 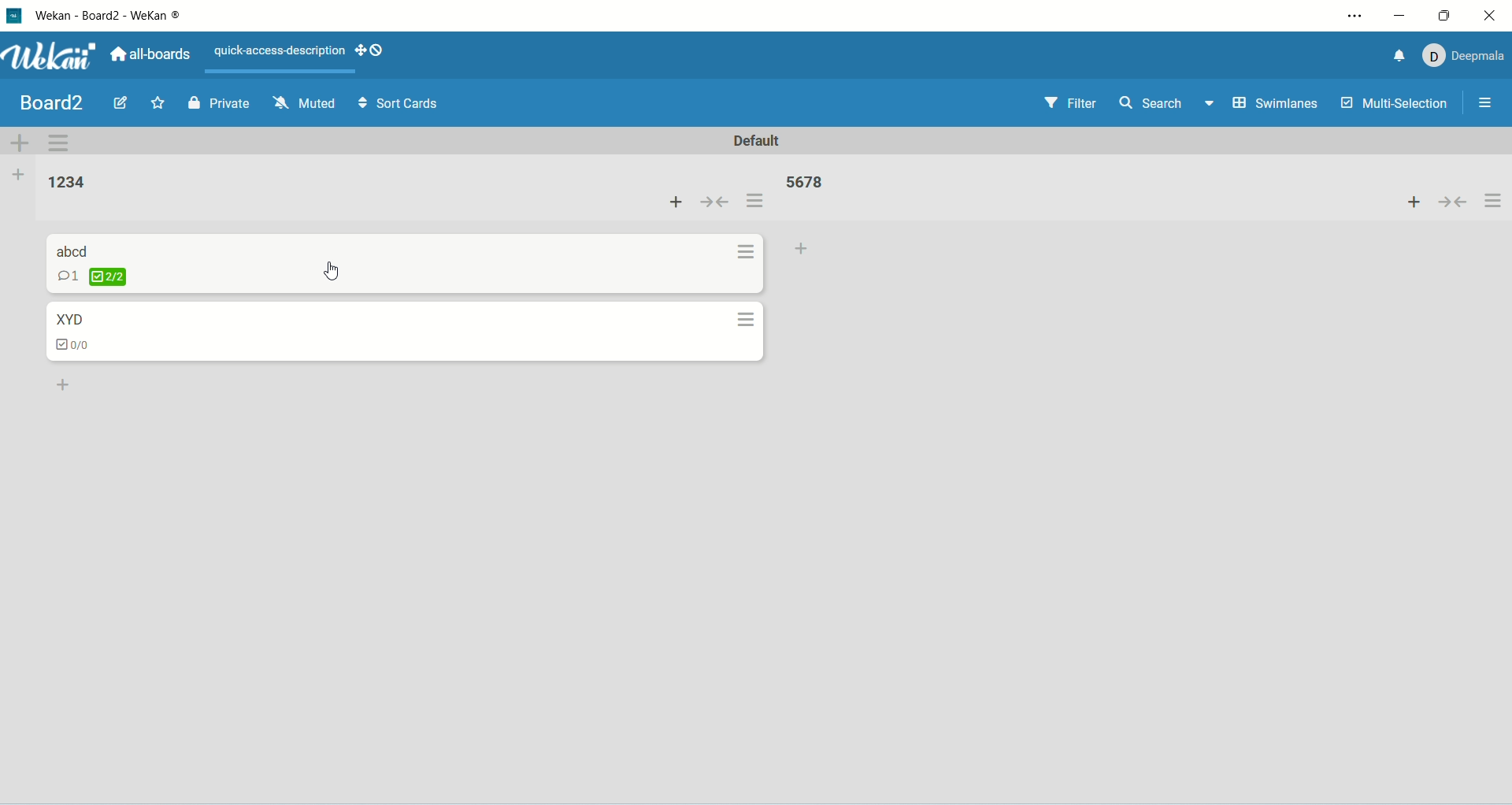 I want to click on checklist, so click(x=97, y=277).